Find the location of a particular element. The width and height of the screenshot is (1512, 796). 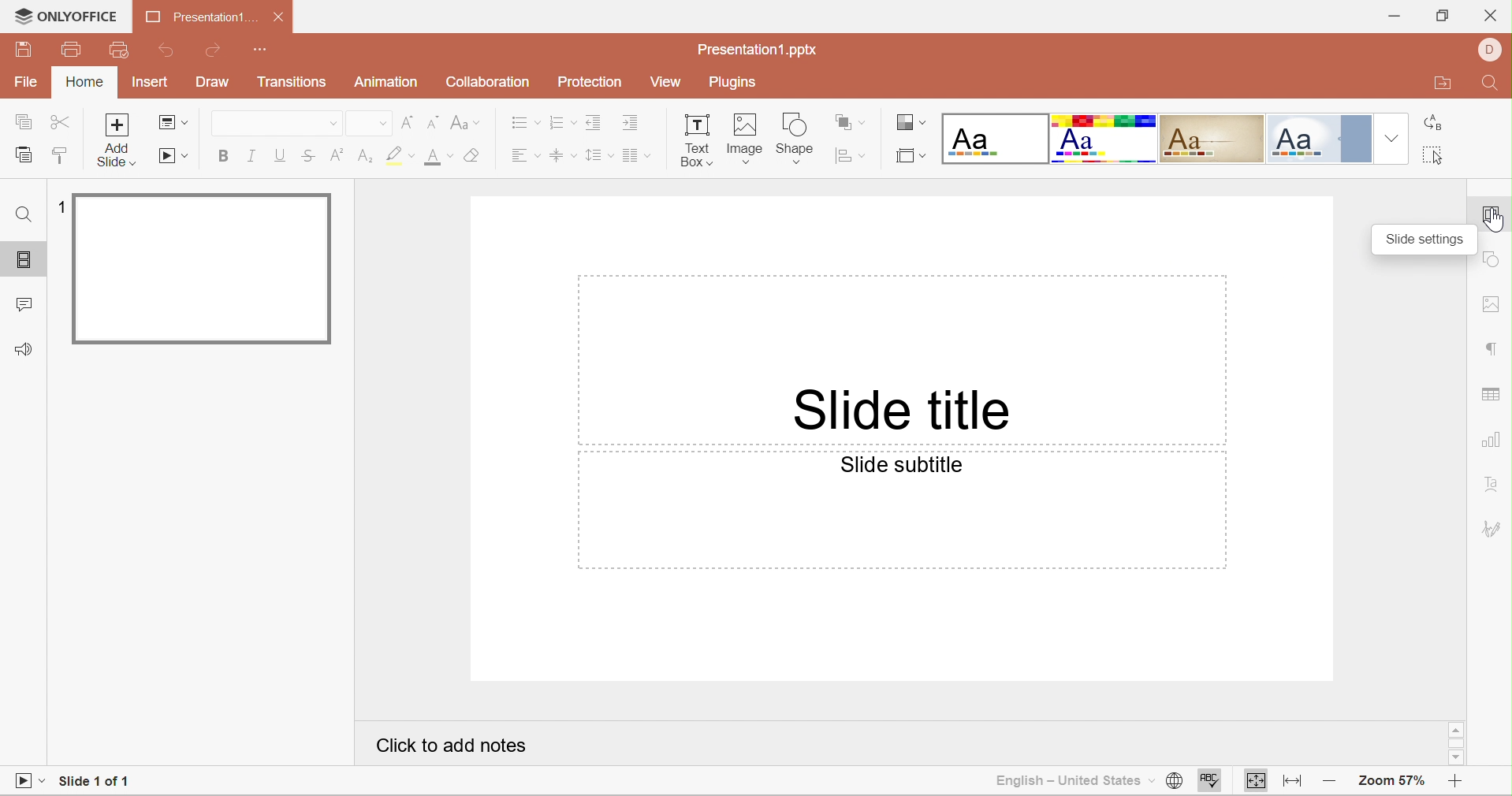

Classic is located at coordinates (1213, 141).